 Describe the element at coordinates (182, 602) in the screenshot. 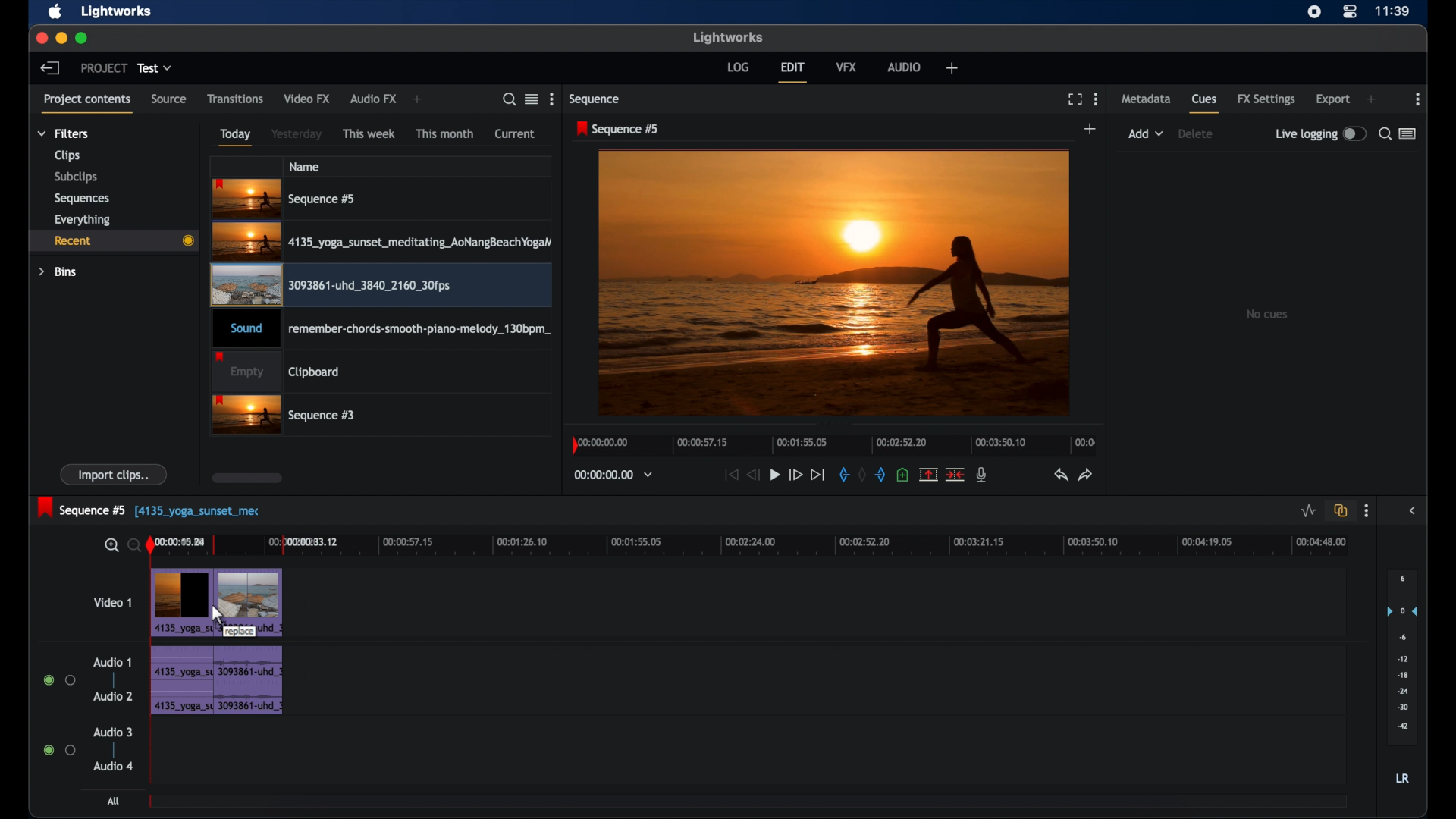

I see `video clip` at that location.